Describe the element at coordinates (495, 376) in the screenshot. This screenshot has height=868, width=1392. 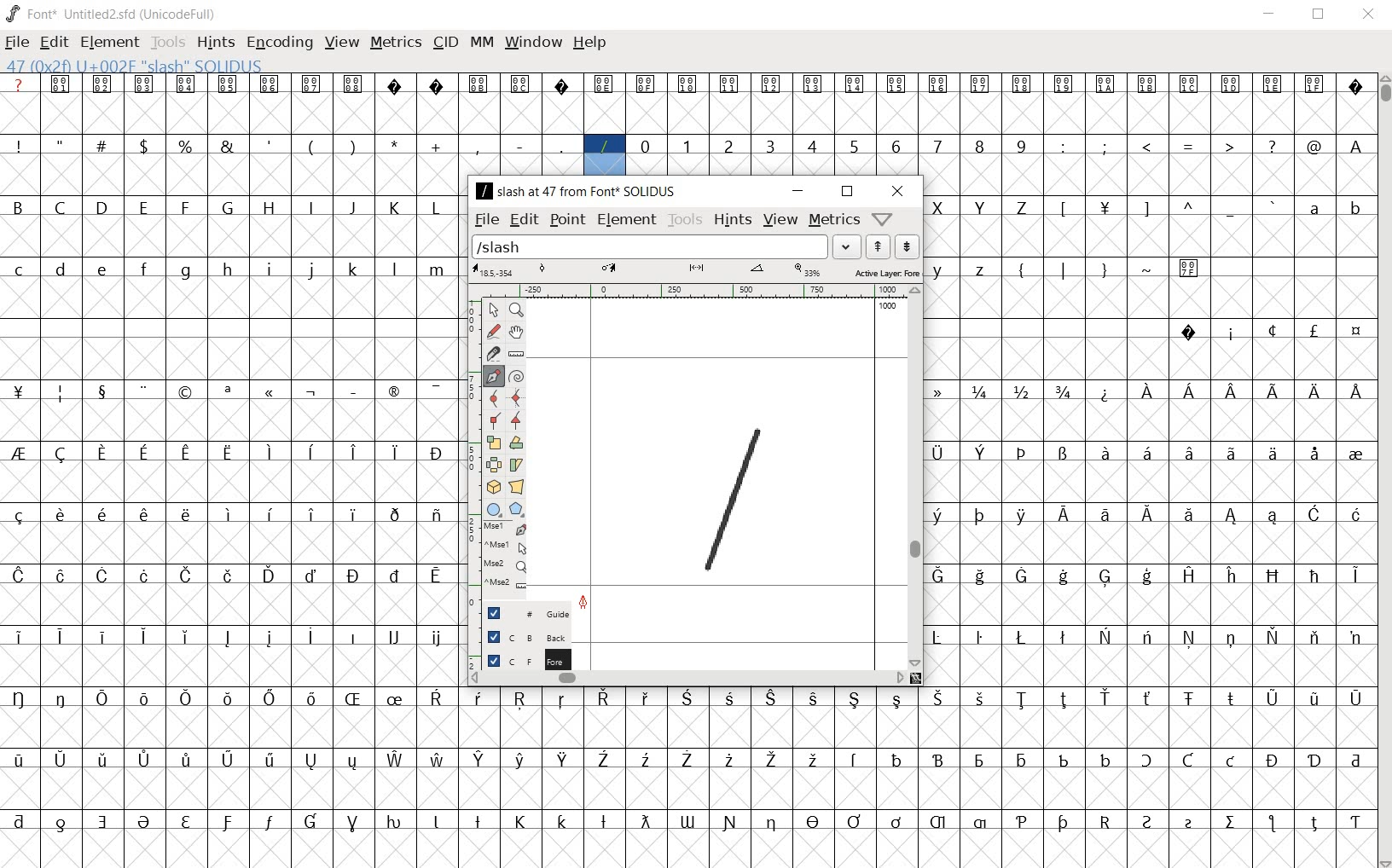
I see `add a point, then drag out its control points` at that location.